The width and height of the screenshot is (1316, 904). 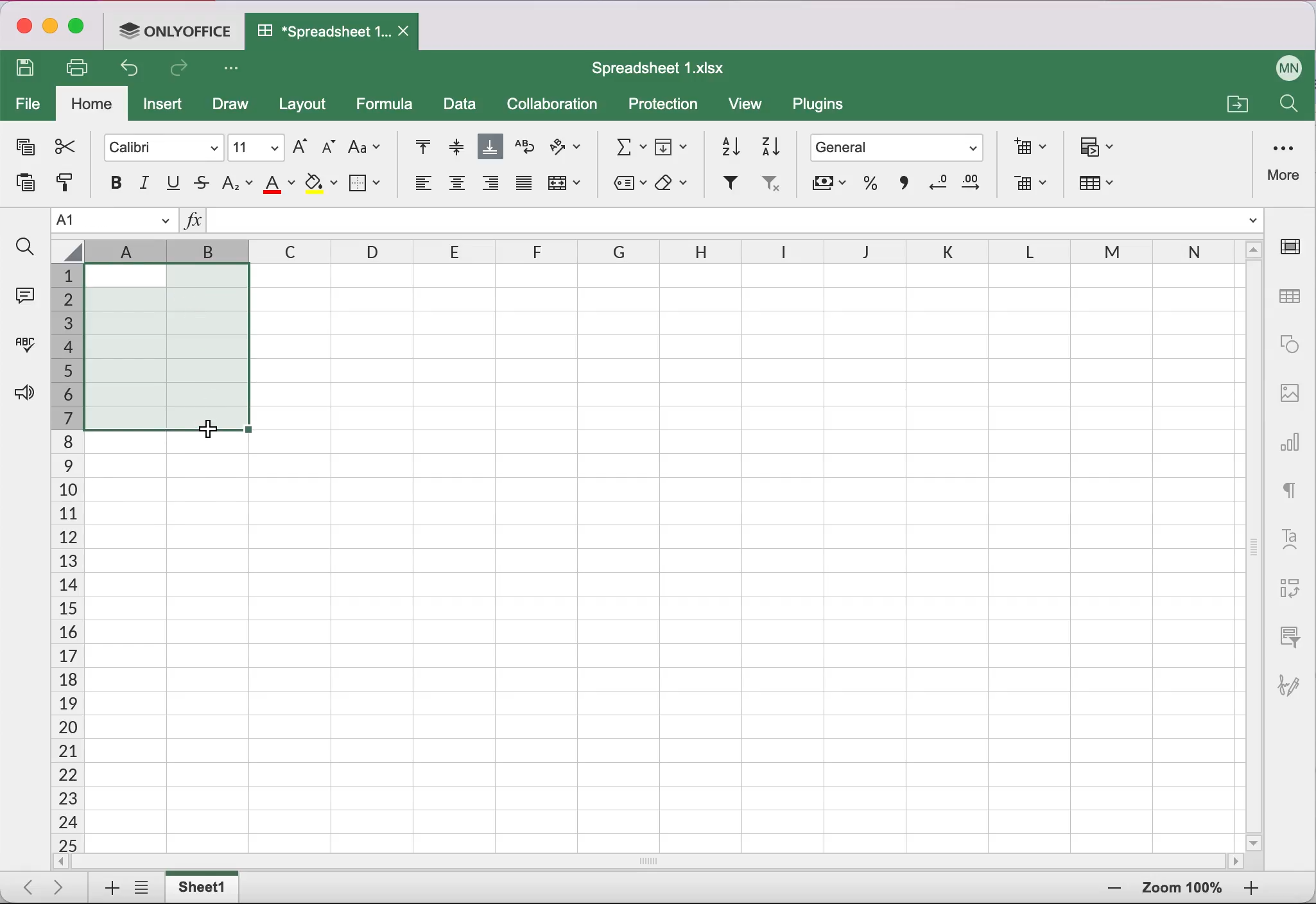 What do you see at coordinates (321, 184) in the screenshot?
I see `fill color` at bounding box center [321, 184].